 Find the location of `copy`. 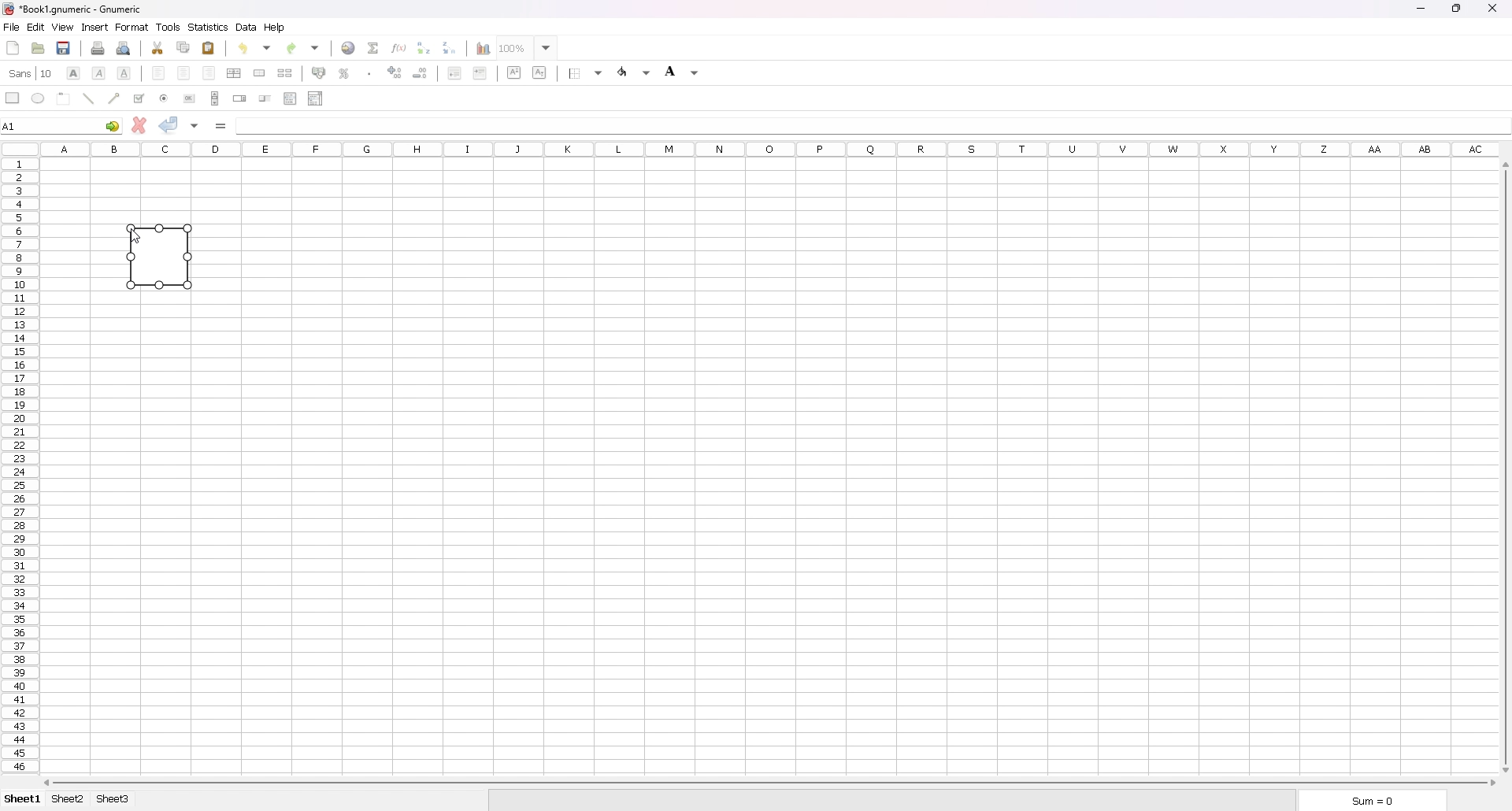

copy is located at coordinates (183, 48).